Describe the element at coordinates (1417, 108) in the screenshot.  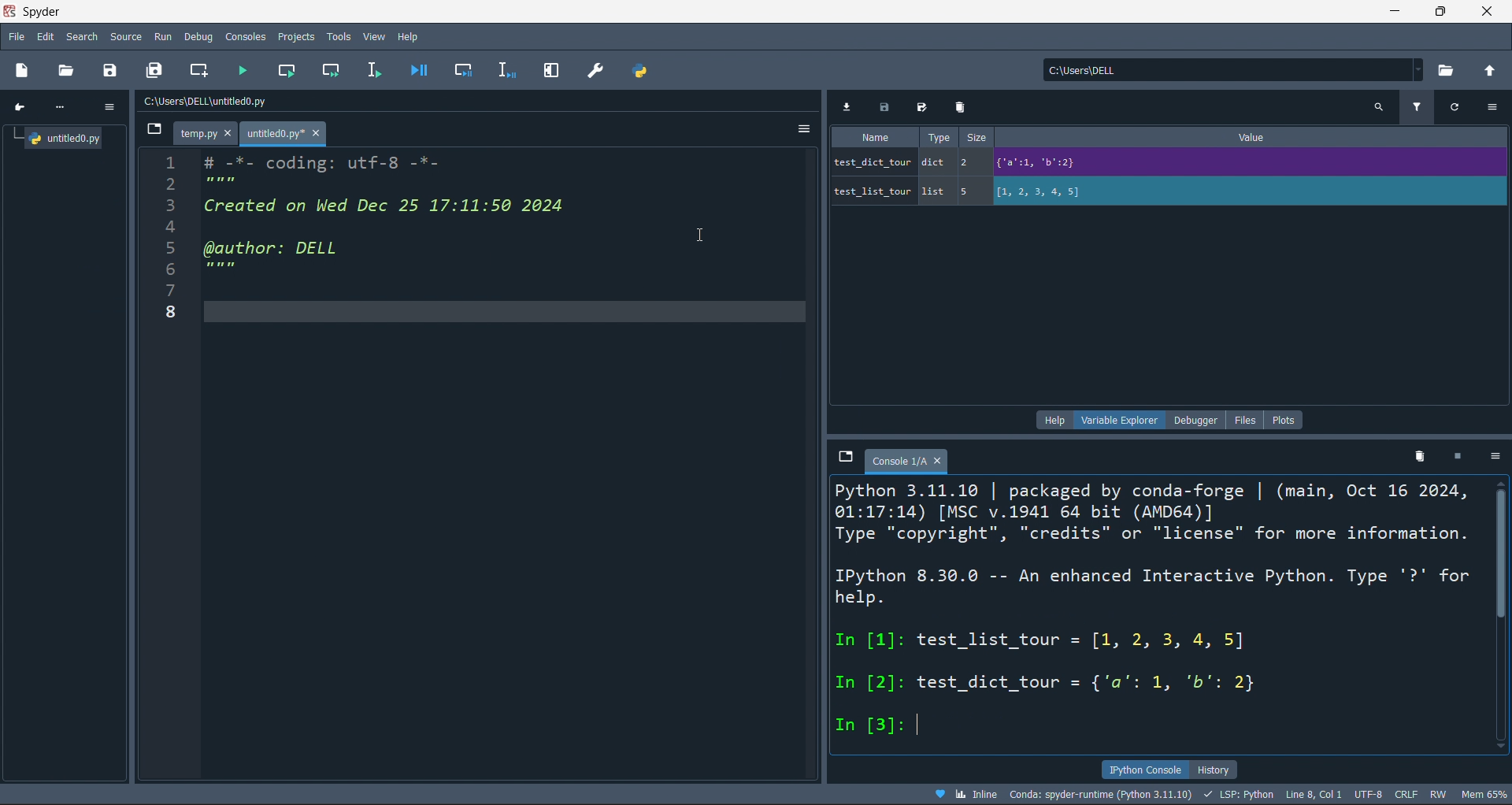
I see `filter` at that location.